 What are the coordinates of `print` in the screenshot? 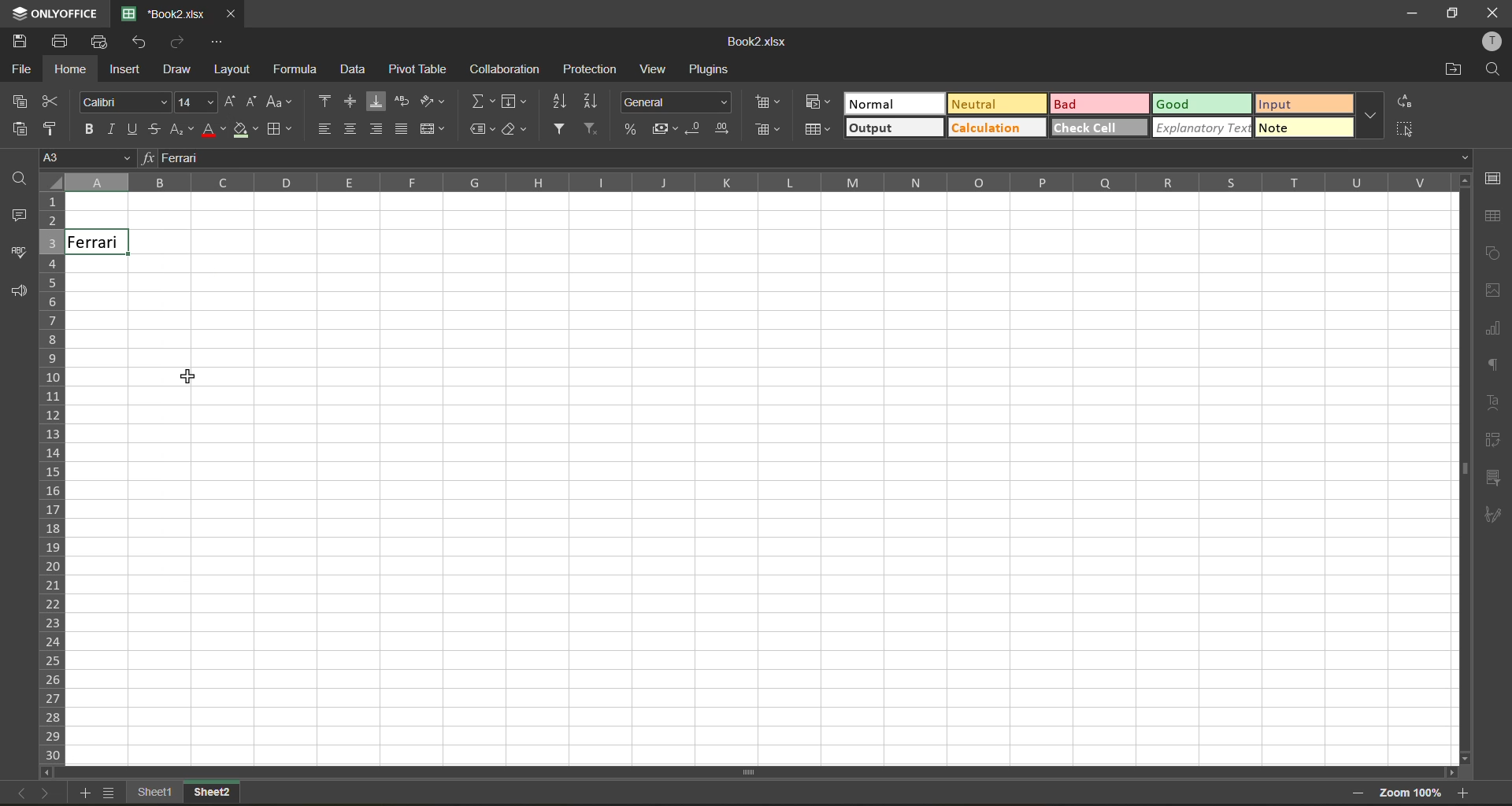 It's located at (64, 43).